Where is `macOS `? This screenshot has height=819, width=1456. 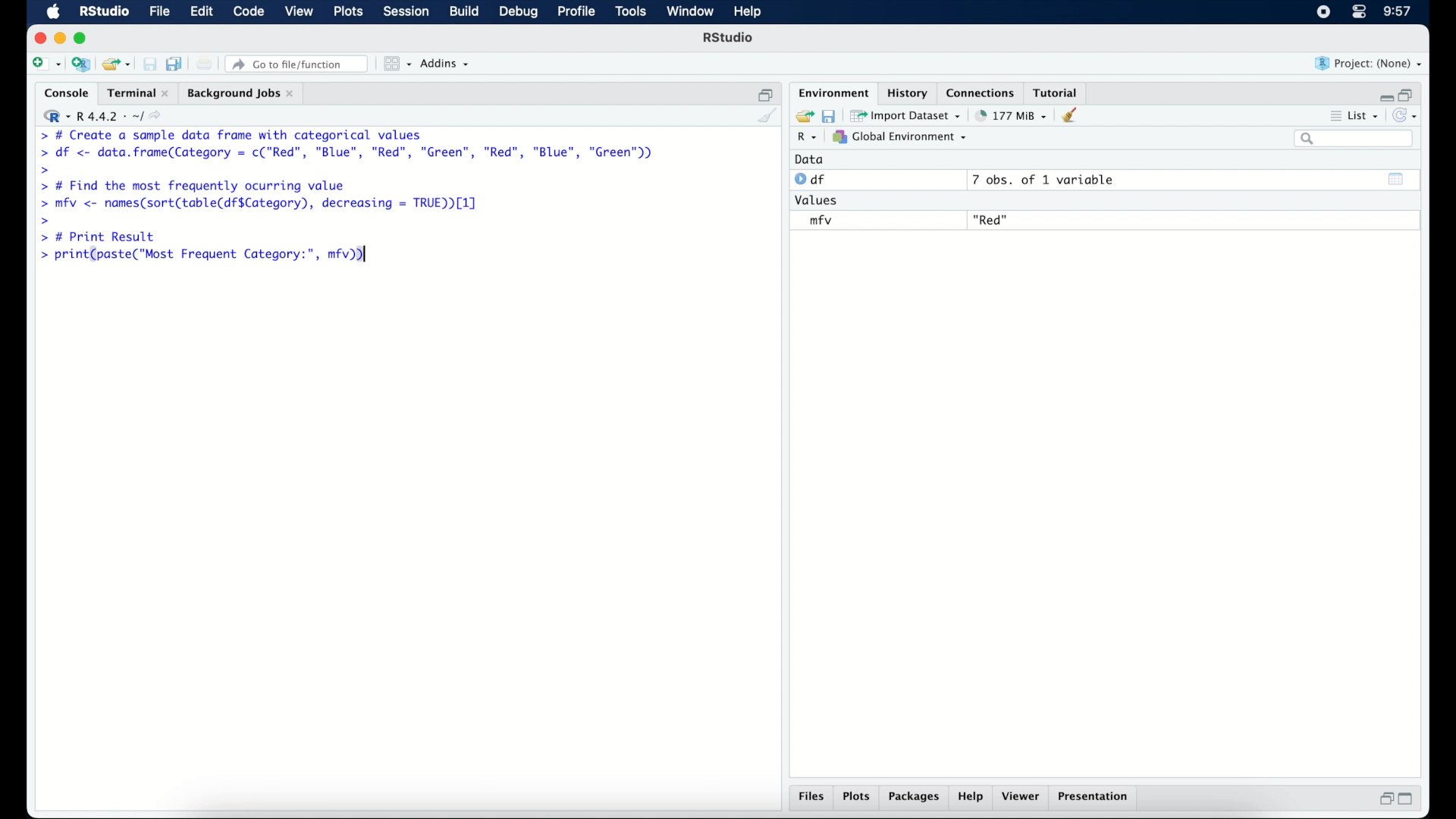
macOS  is located at coordinates (53, 12).